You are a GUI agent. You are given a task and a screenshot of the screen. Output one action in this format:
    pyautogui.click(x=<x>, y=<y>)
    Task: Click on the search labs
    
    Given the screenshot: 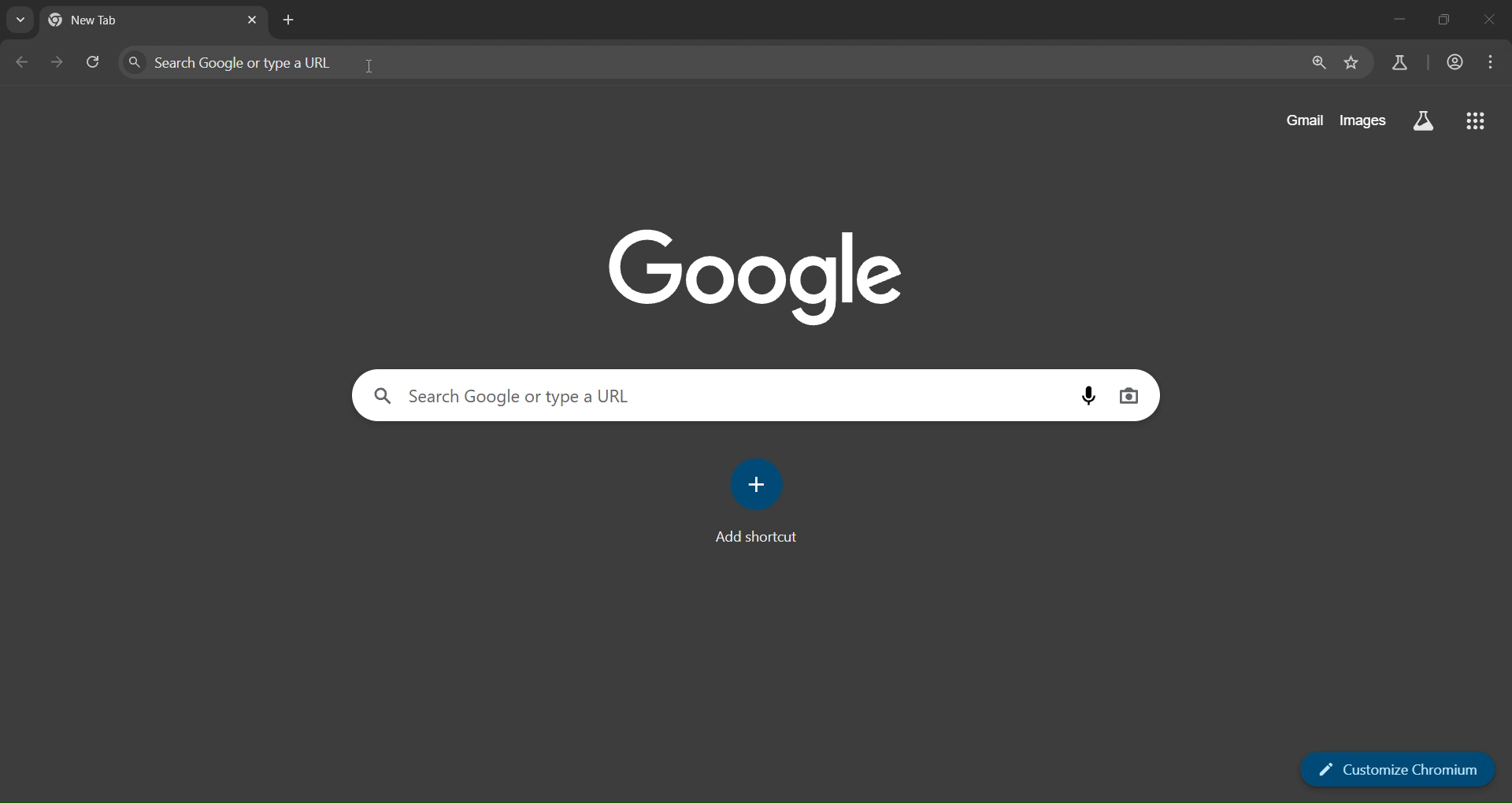 What is the action you would take?
    pyautogui.click(x=1399, y=65)
    